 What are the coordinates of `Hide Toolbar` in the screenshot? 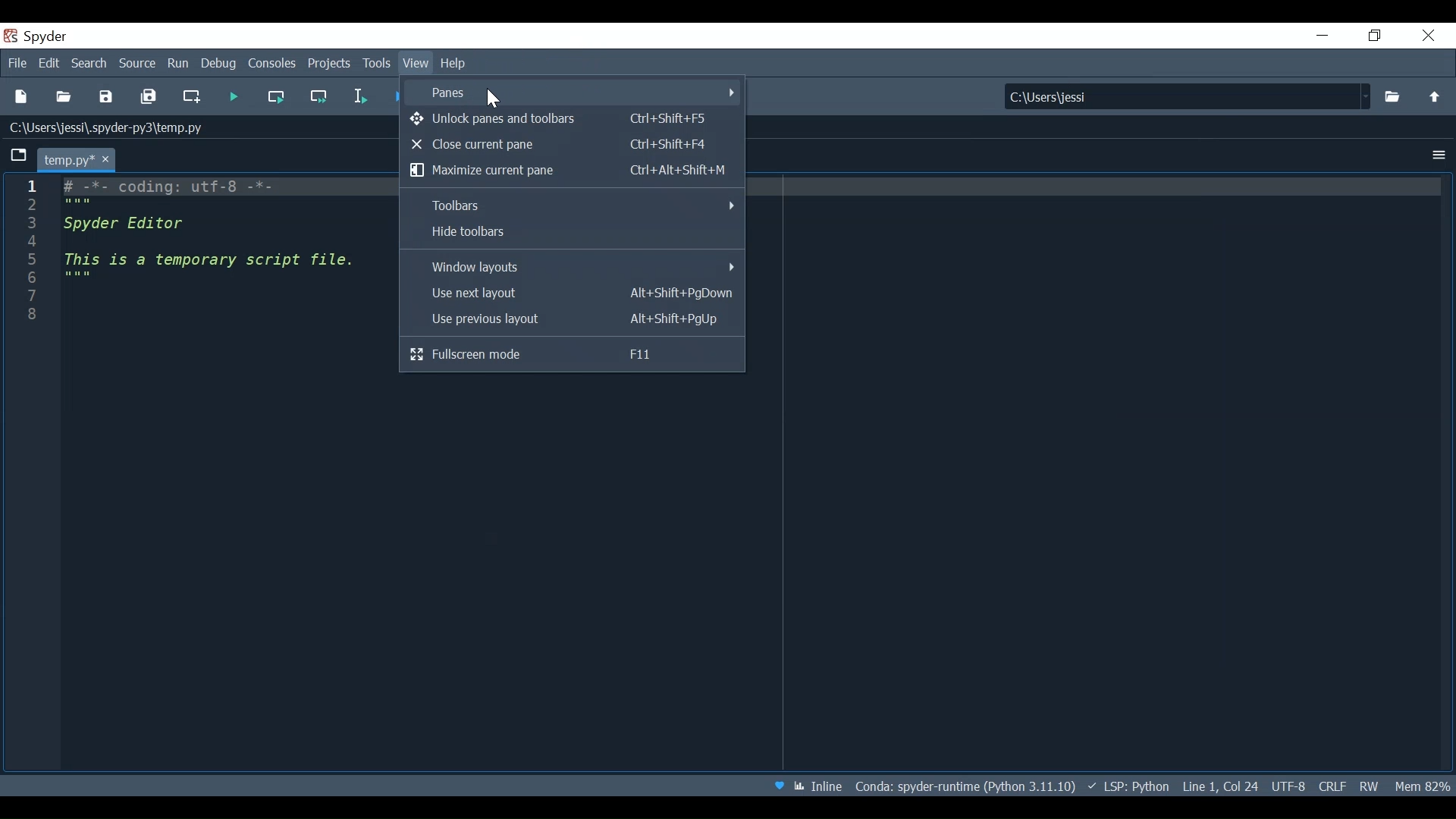 It's located at (571, 233).